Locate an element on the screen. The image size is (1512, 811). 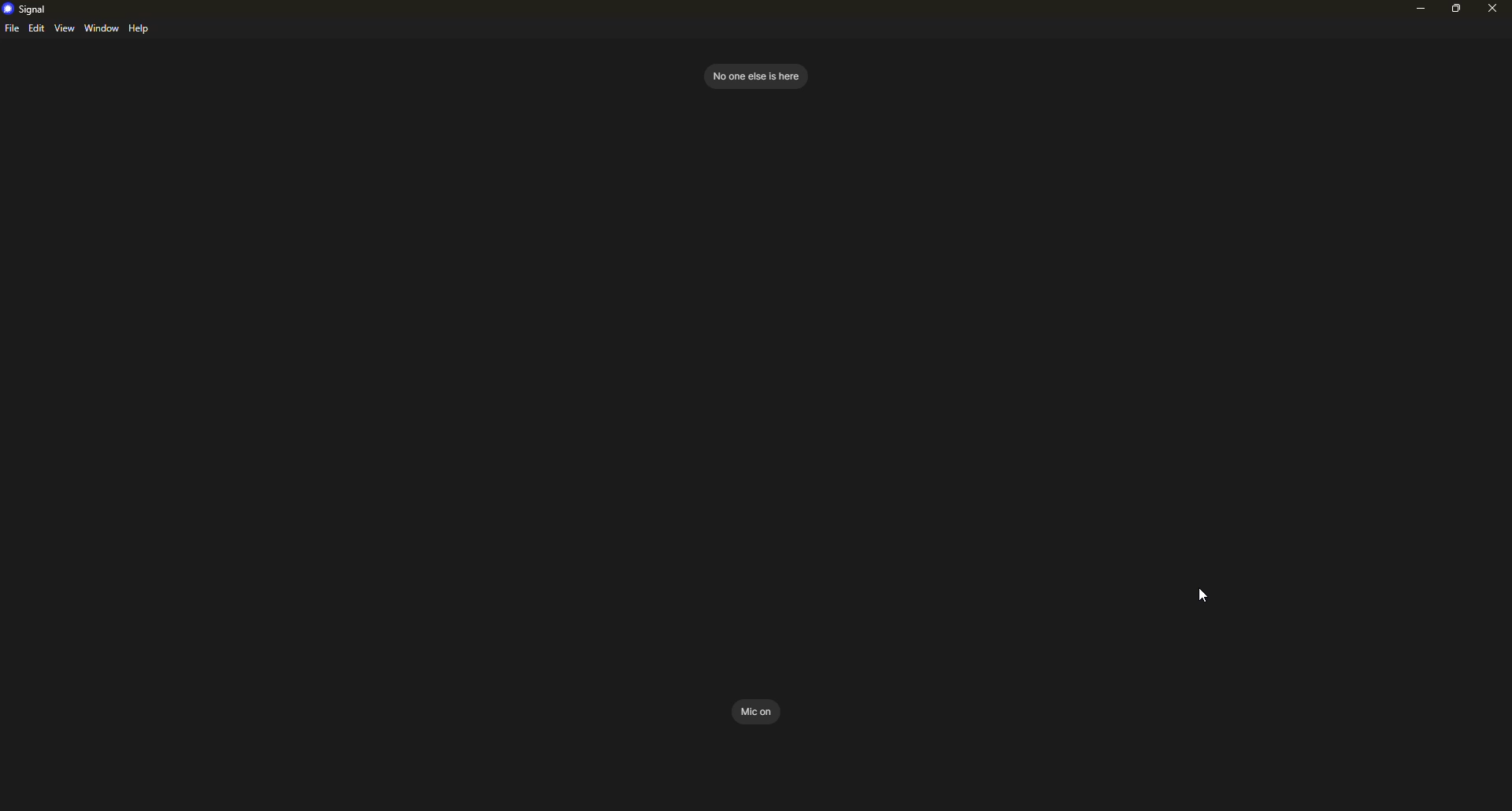
window is located at coordinates (102, 28).